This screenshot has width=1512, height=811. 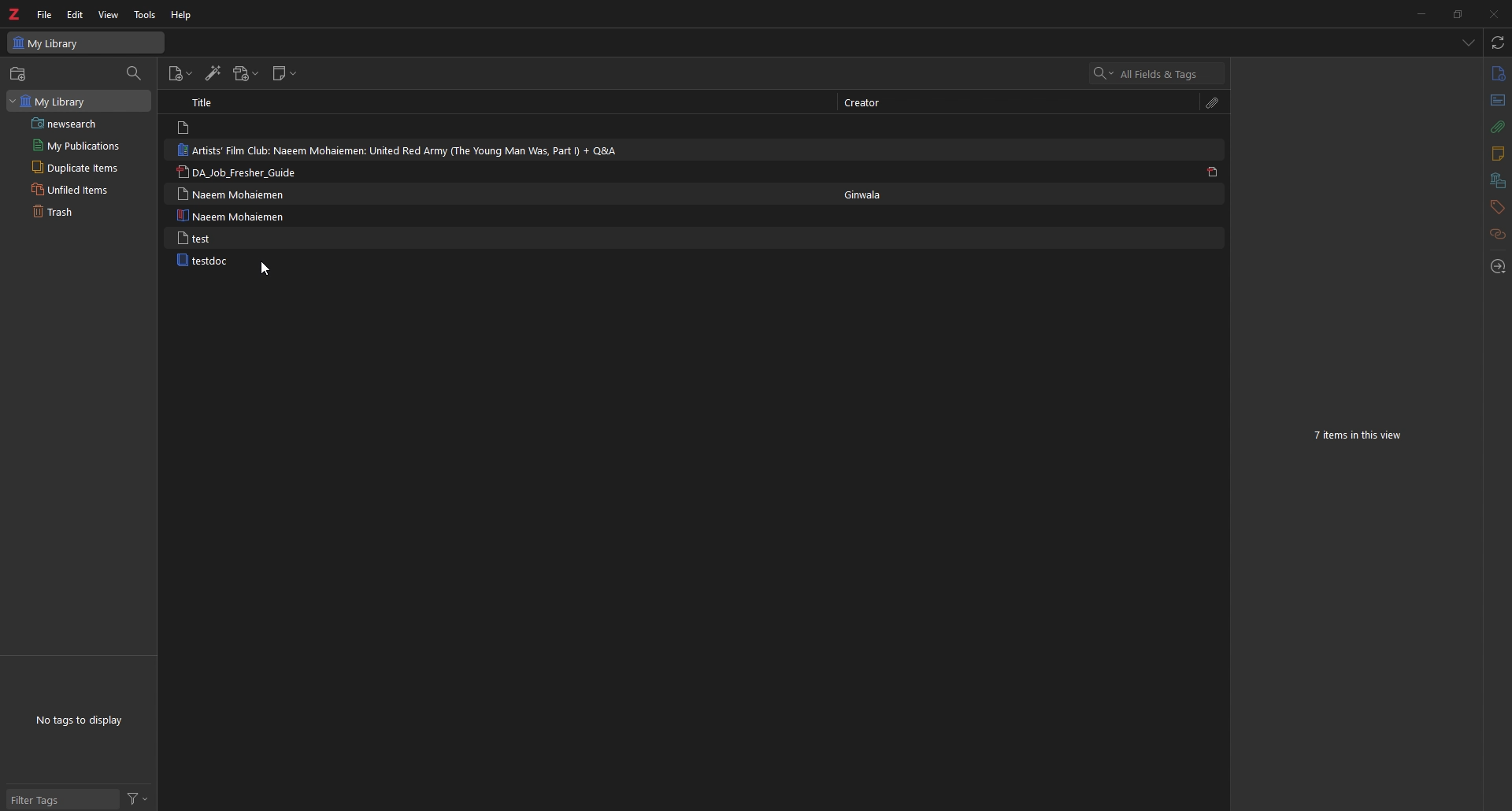 I want to click on 7 items in this view, so click(x=1356, y=436).